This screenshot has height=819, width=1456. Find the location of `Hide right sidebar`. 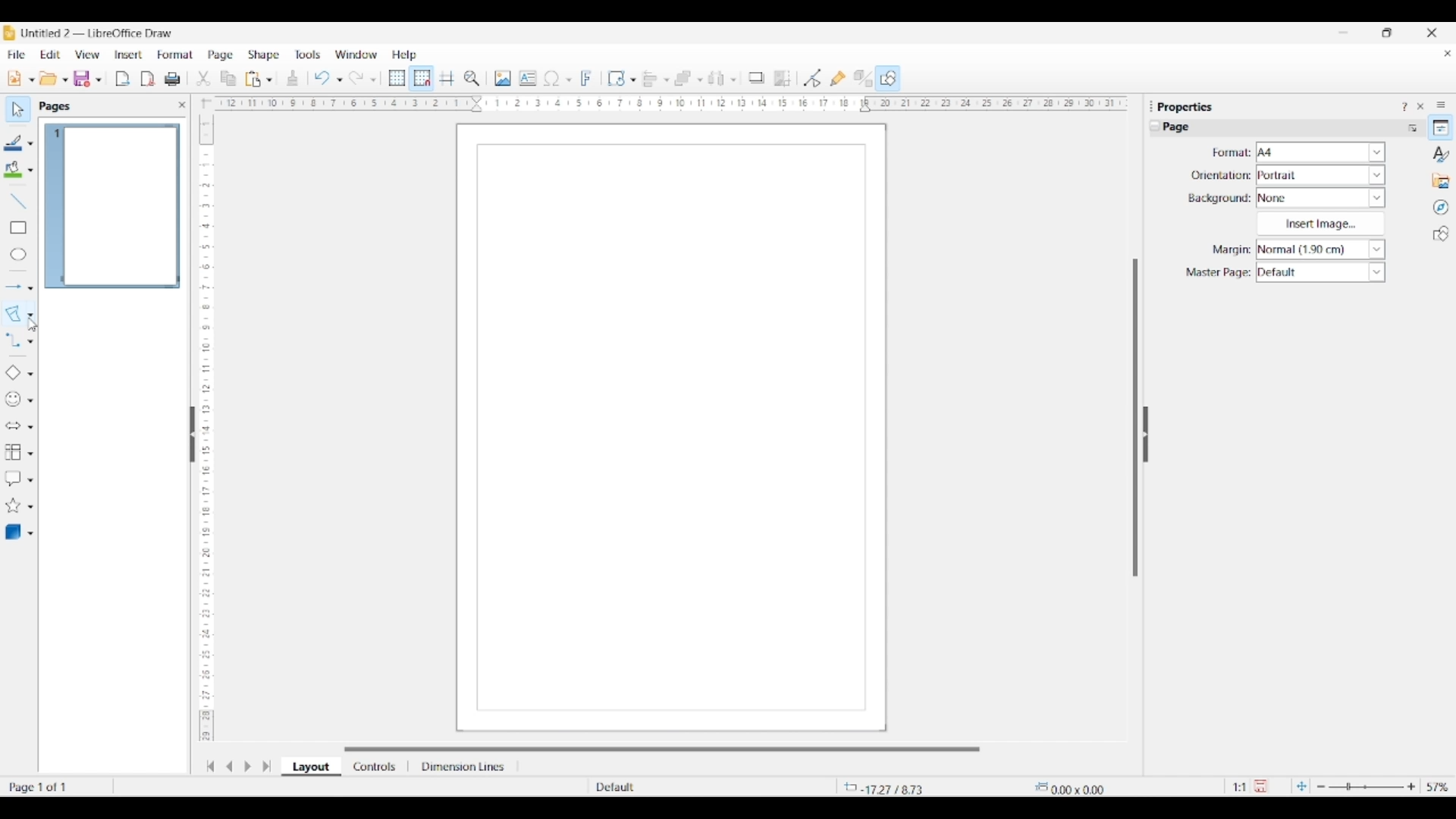

Hide right sidebar is located at coordinates (1145, 435).